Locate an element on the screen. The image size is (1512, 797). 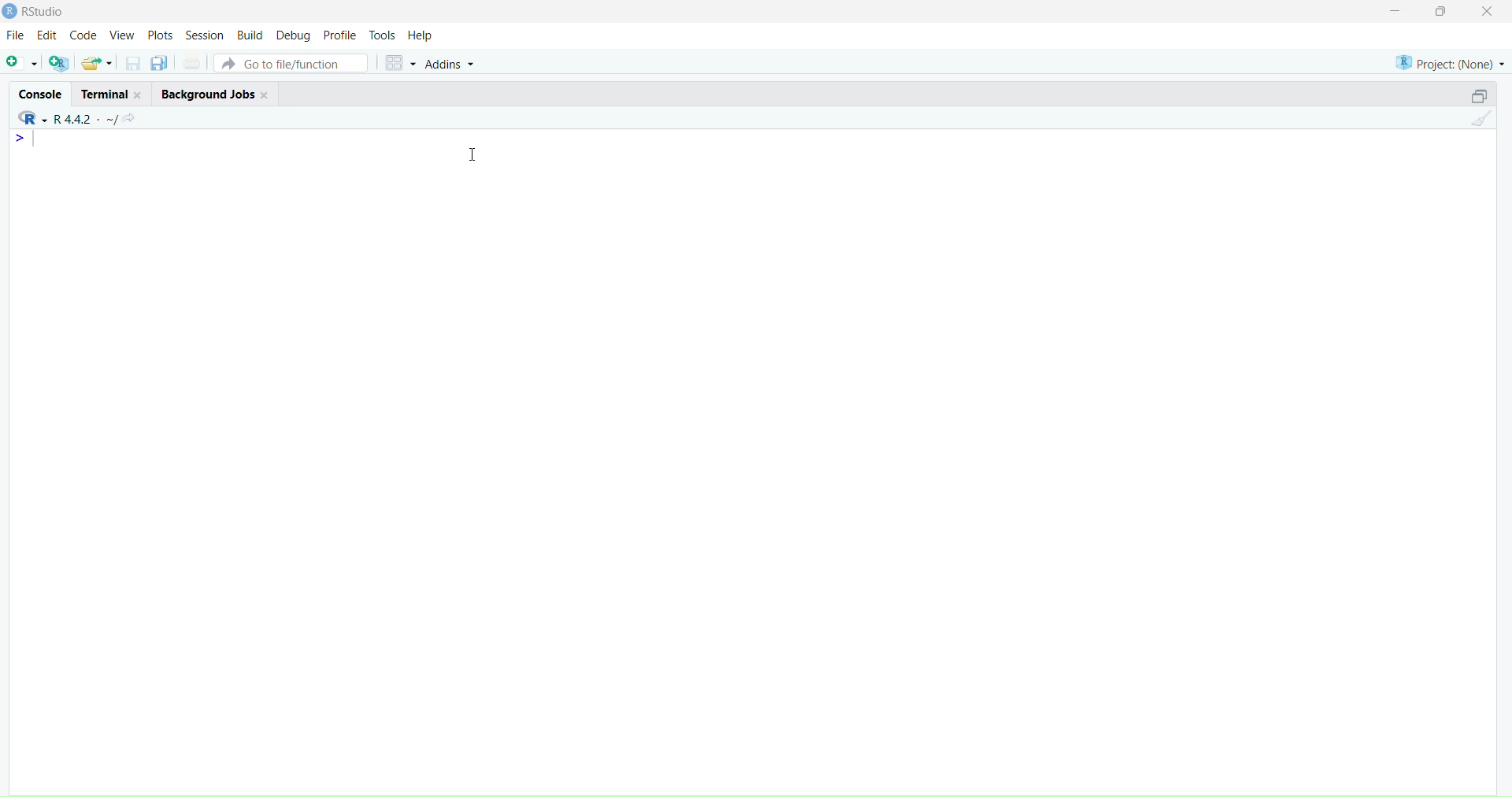
add R file is located at coordinates (59, 63).